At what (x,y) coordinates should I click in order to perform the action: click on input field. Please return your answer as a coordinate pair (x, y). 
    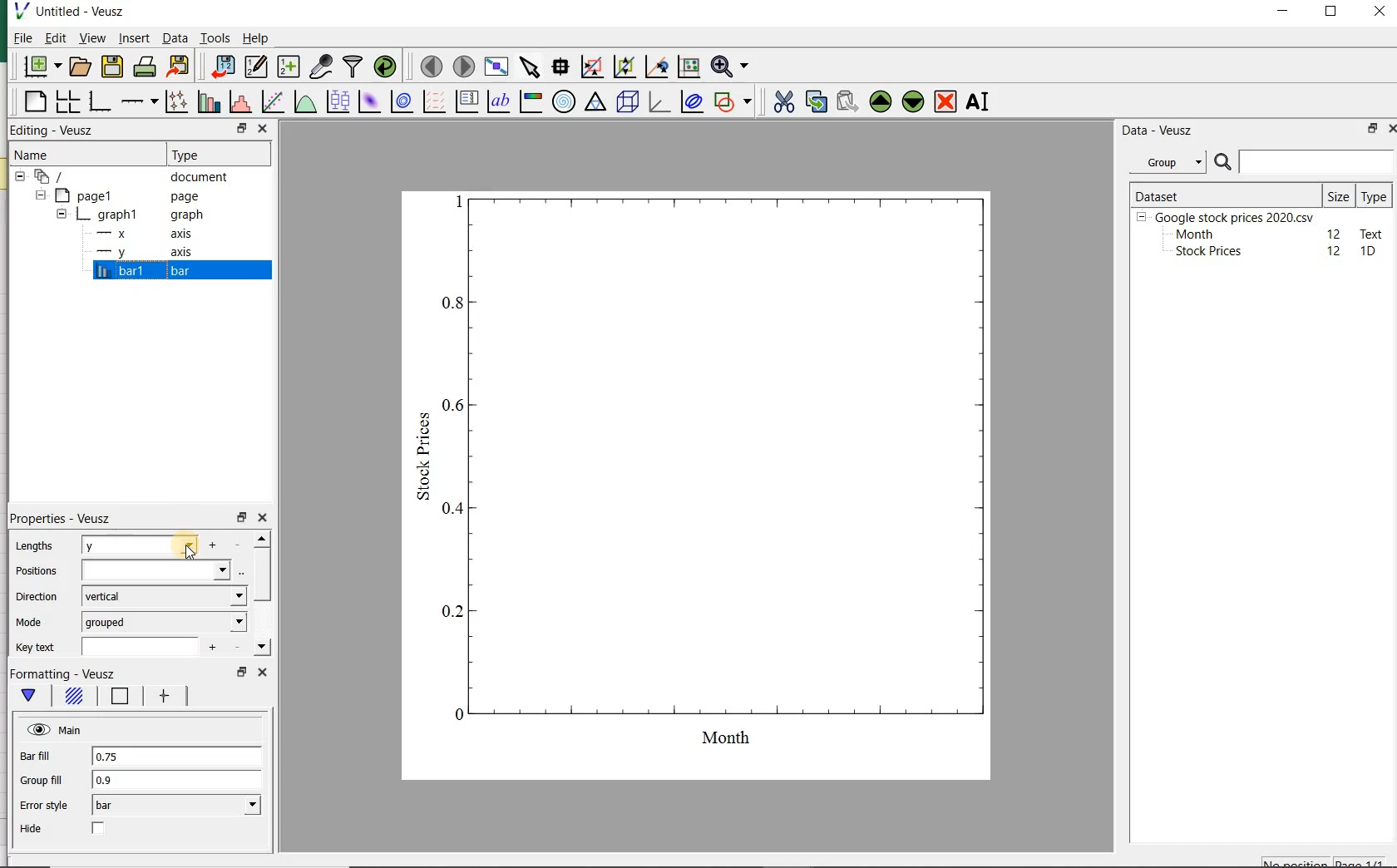
    Looking at the image, I should click on (140, 649).